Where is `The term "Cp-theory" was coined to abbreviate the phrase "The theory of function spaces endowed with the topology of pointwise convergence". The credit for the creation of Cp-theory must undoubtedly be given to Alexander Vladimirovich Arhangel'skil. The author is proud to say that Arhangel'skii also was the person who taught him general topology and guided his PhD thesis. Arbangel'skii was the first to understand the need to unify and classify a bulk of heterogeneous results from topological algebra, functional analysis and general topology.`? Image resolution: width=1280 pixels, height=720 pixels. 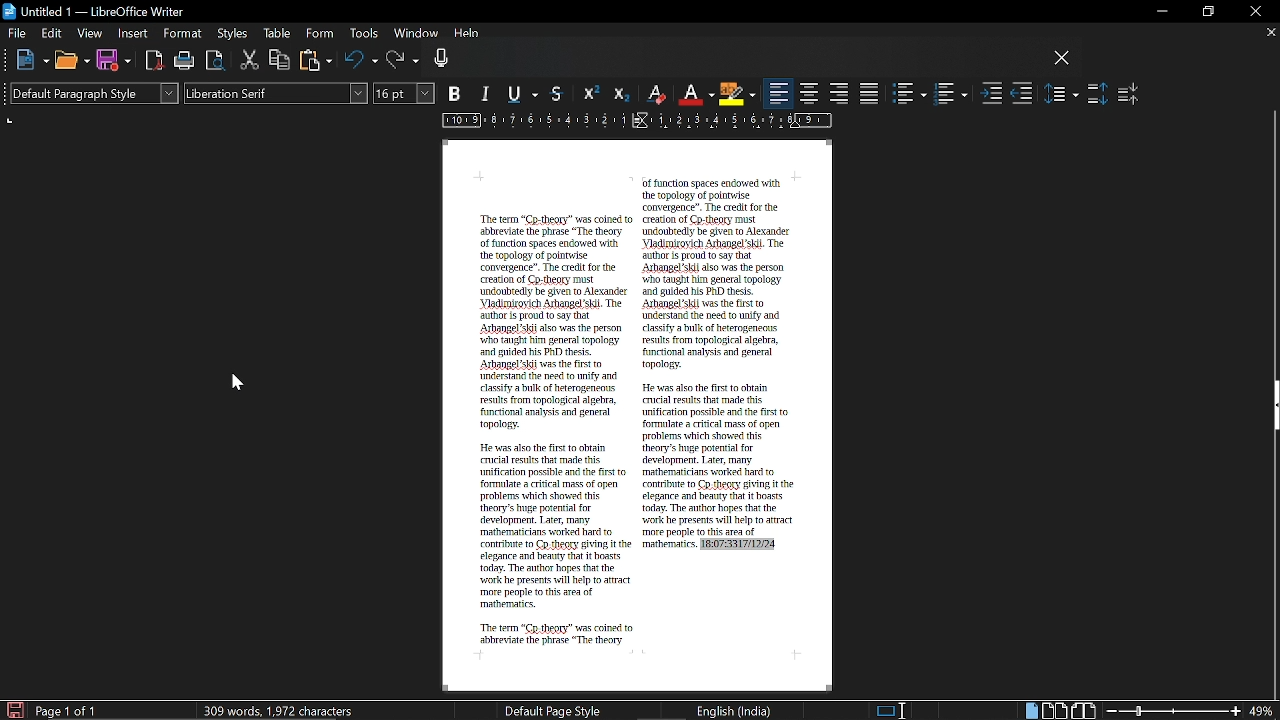
The term "Cp-theory" was coined to abbreviate the phrase "The theory of function spaces endowed with the topology of pointwise convergence". The credit for the creation of Cp-theory must undoubtedly be given to Alexander Vladimirovich Arhangel'skil. The author is proud to say that Arhangel'skii also was the person who taught him general topology and guided his PhD thesis. Arbangel'skii was the first to understand the need to unify and classify a bulk of heterogeneous results from topological algebra, functional analysis and general topology. is located at coordinates (553, 322).